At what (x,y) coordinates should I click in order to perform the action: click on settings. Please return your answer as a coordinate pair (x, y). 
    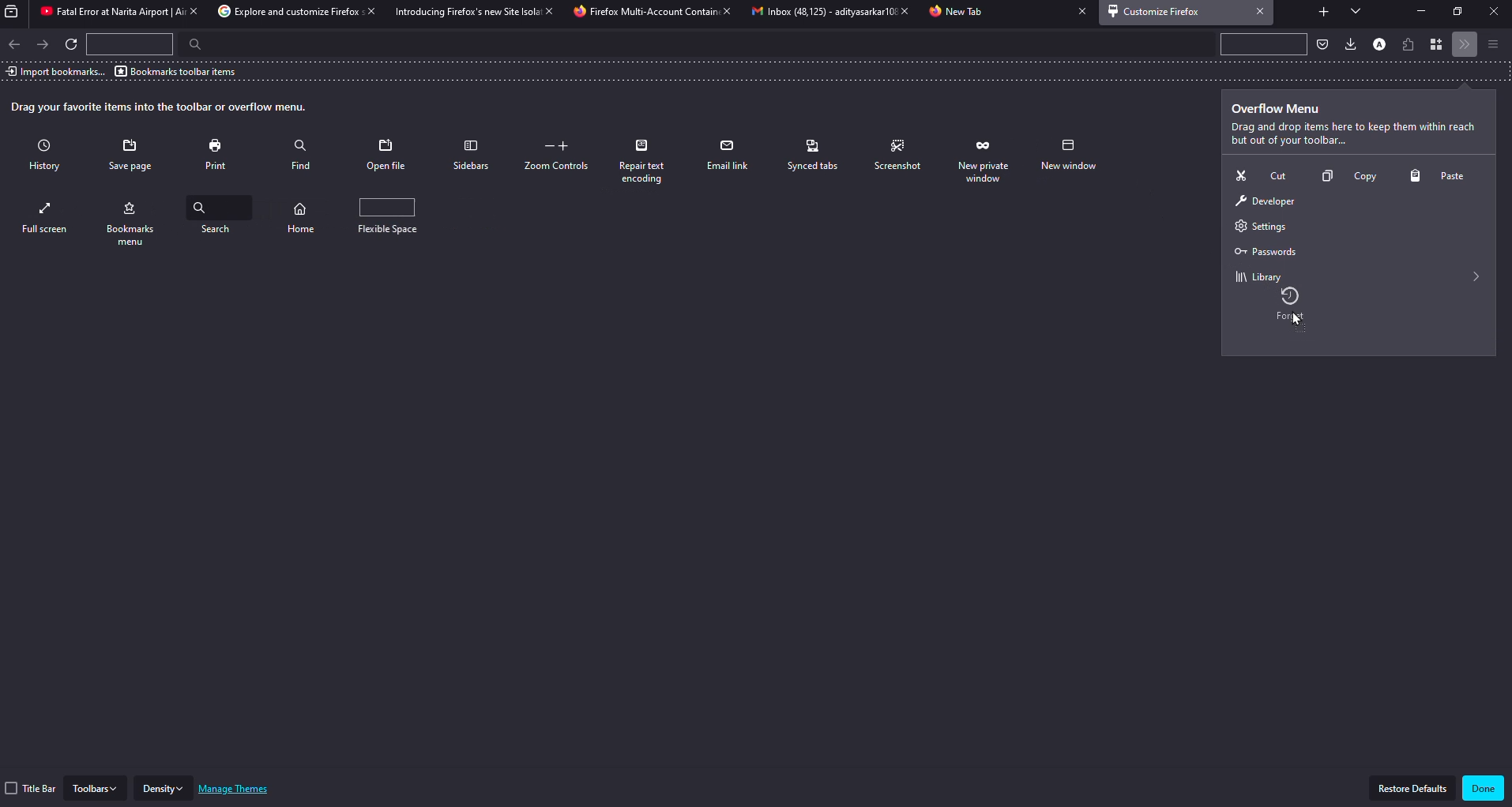
    Looking at the image, I should click on (1257, 227).